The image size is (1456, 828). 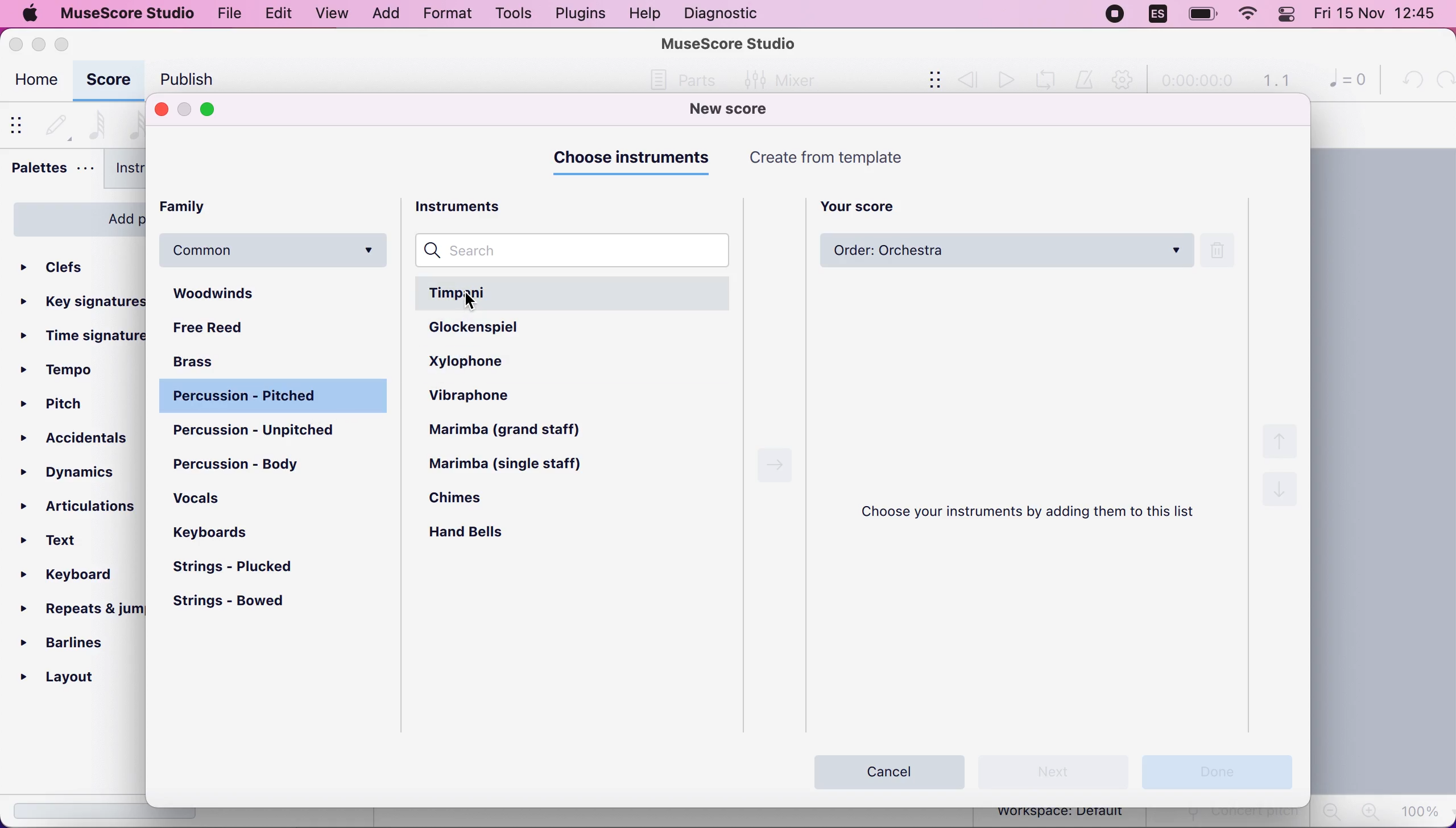 I want to click on order: orchestra, so click(x=1004, y=251).